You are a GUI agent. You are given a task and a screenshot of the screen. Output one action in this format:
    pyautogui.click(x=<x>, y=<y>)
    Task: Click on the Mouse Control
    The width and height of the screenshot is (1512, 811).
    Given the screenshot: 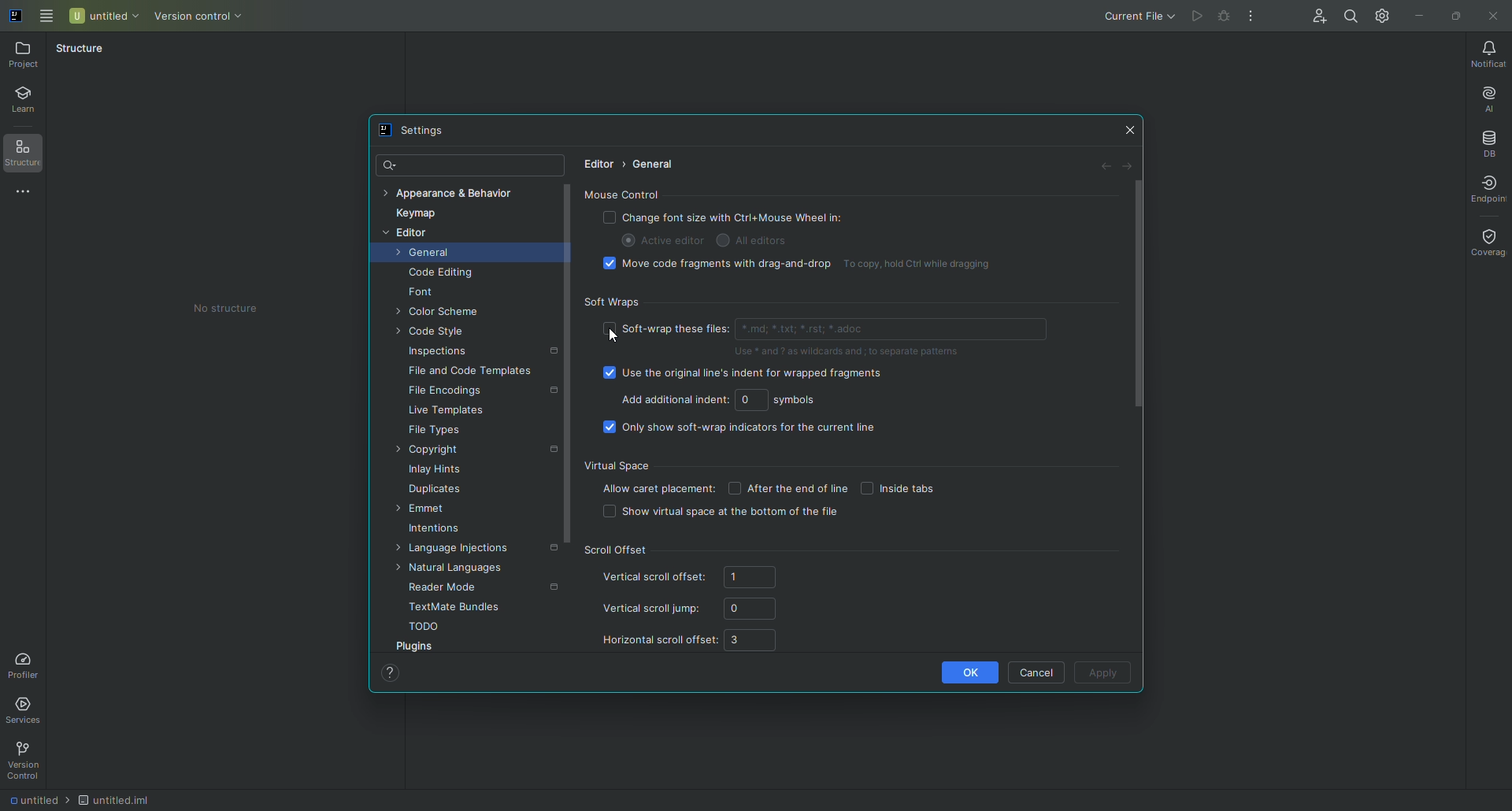 What is the action you would take?
    pyautogui.click(x=817, y=232)
    